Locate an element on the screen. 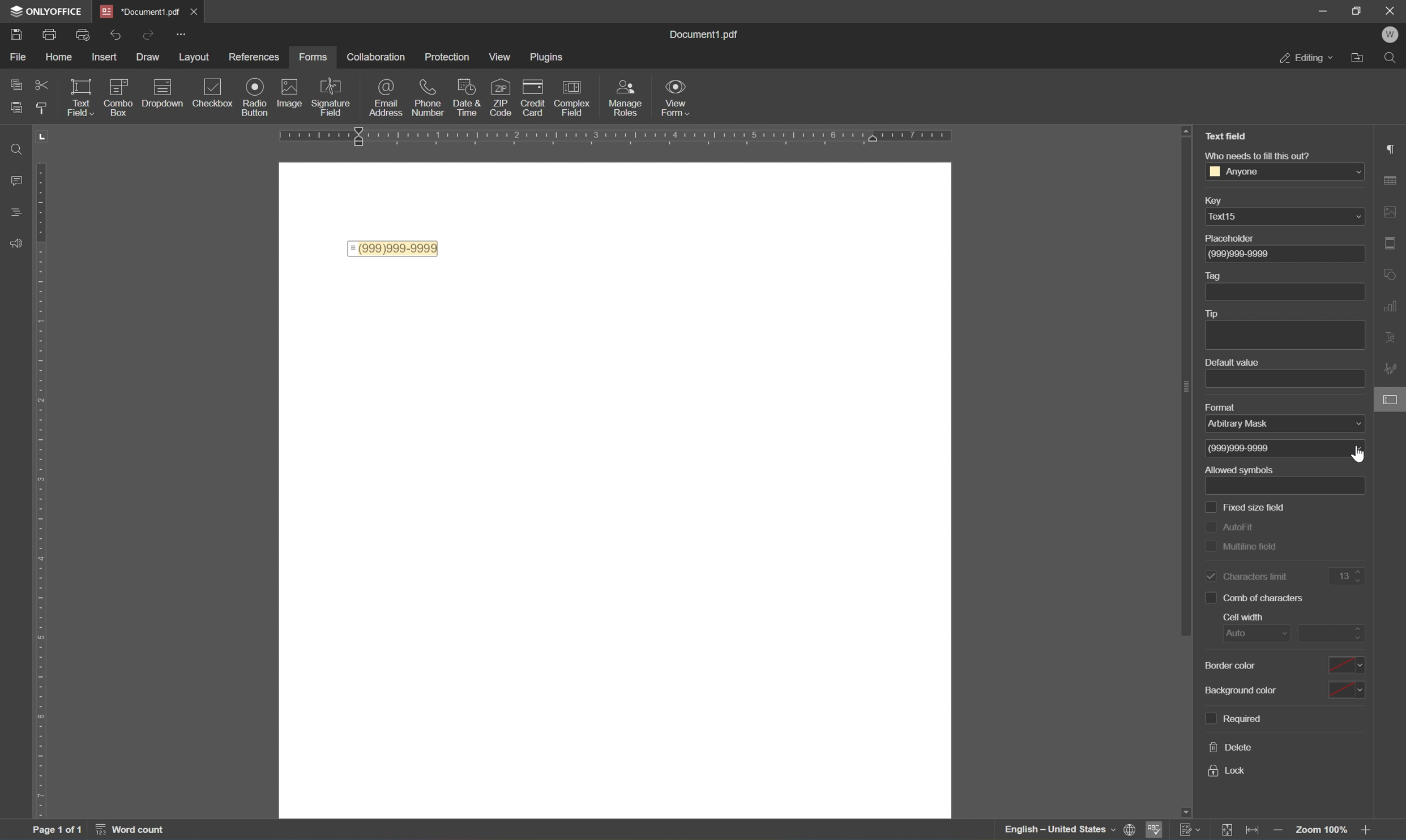 This screenshot has width=1406, height=840. = (999)999-9999 is located at coordinates (394, 248).